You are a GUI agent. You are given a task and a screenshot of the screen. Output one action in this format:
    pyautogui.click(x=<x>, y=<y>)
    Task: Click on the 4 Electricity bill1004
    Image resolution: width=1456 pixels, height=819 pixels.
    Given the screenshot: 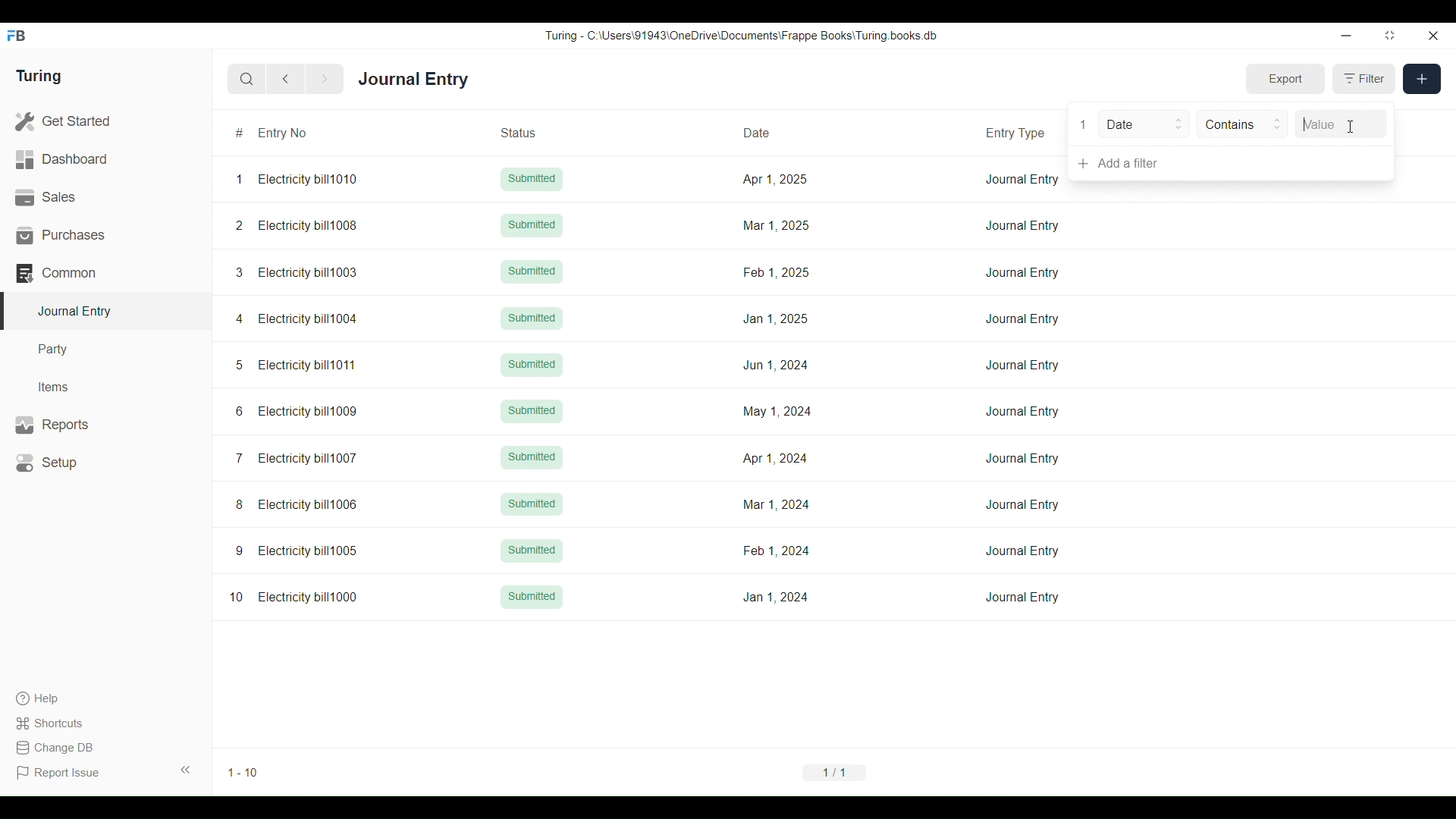 What is the action you would take?
    pyautogui.click(x=297, y=318)
    